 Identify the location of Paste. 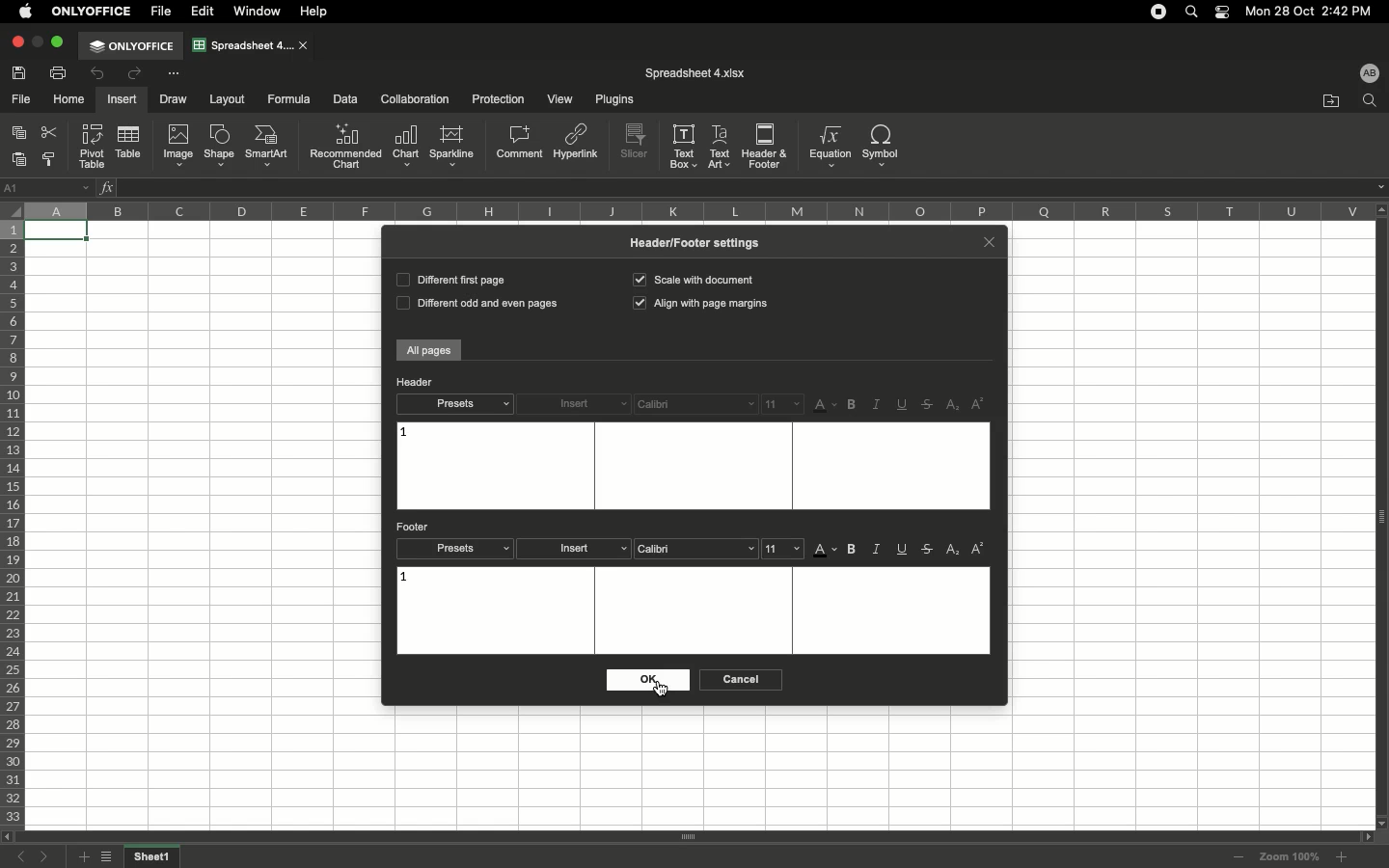
(21, 159).